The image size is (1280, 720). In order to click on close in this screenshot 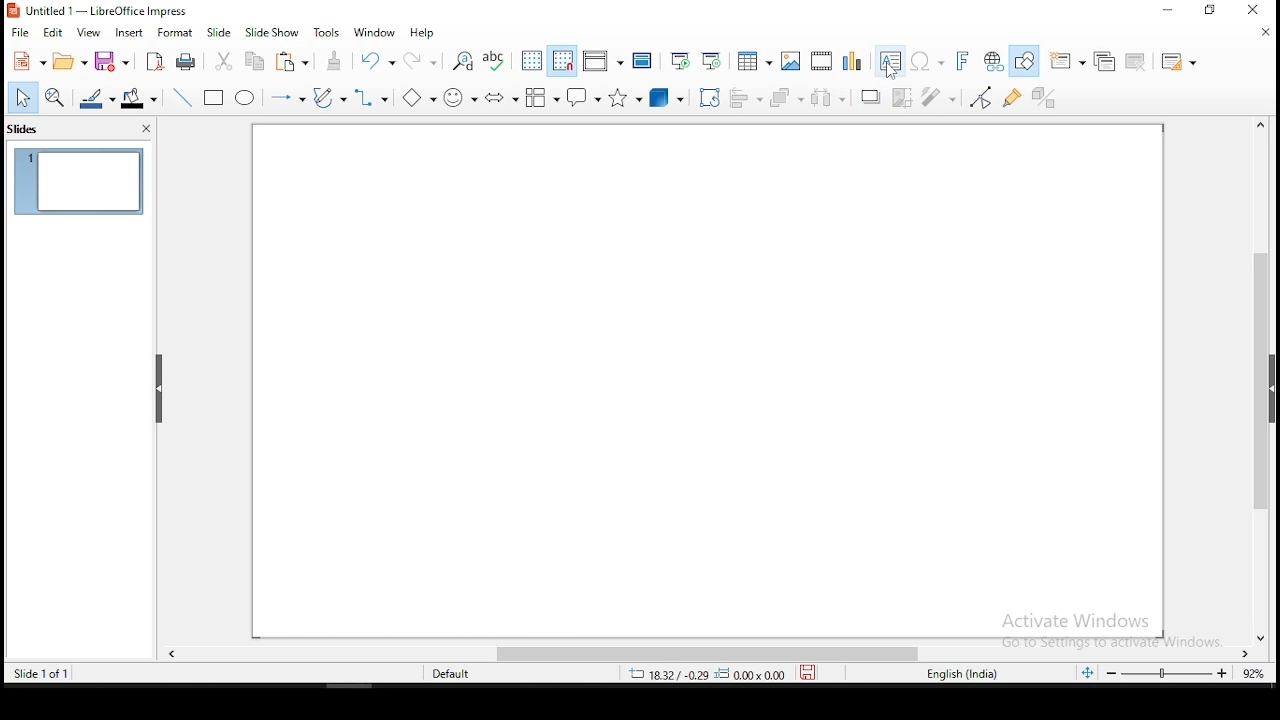, I will do `click(1265, 35)`.